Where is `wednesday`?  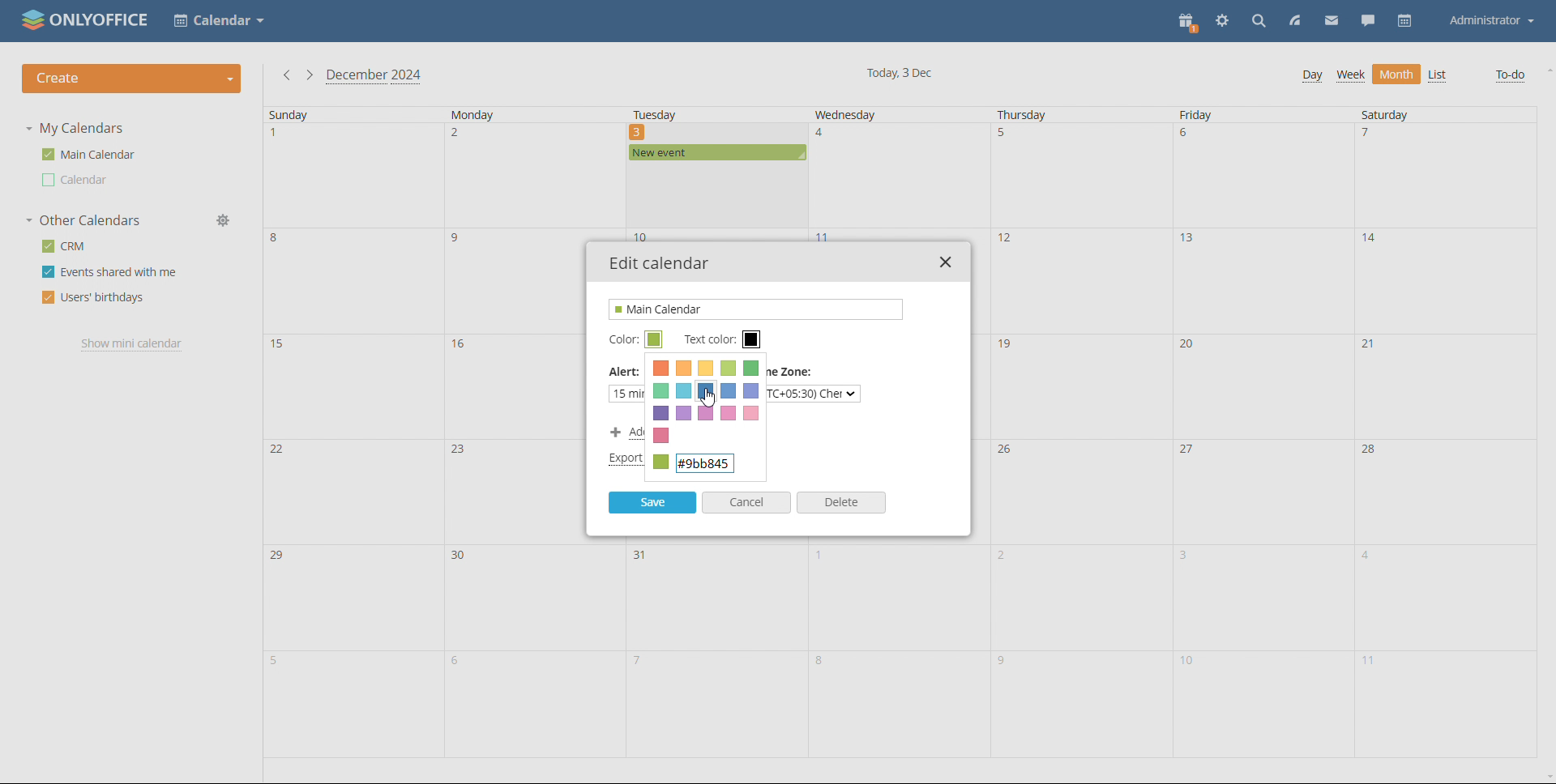 wednesday is located at coordinates (867, 114).